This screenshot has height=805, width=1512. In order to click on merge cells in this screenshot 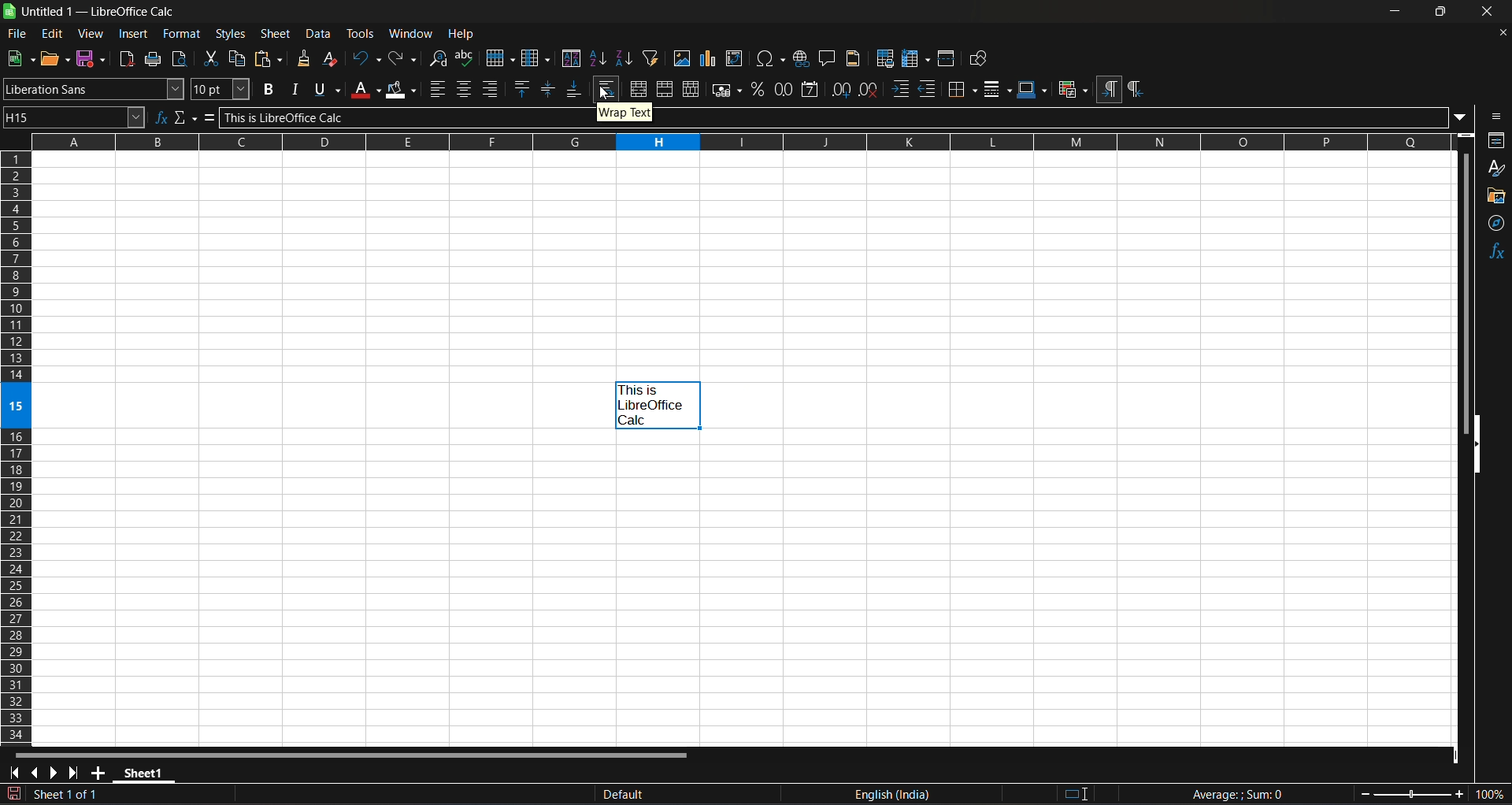, I will do `click(664, 89)`.